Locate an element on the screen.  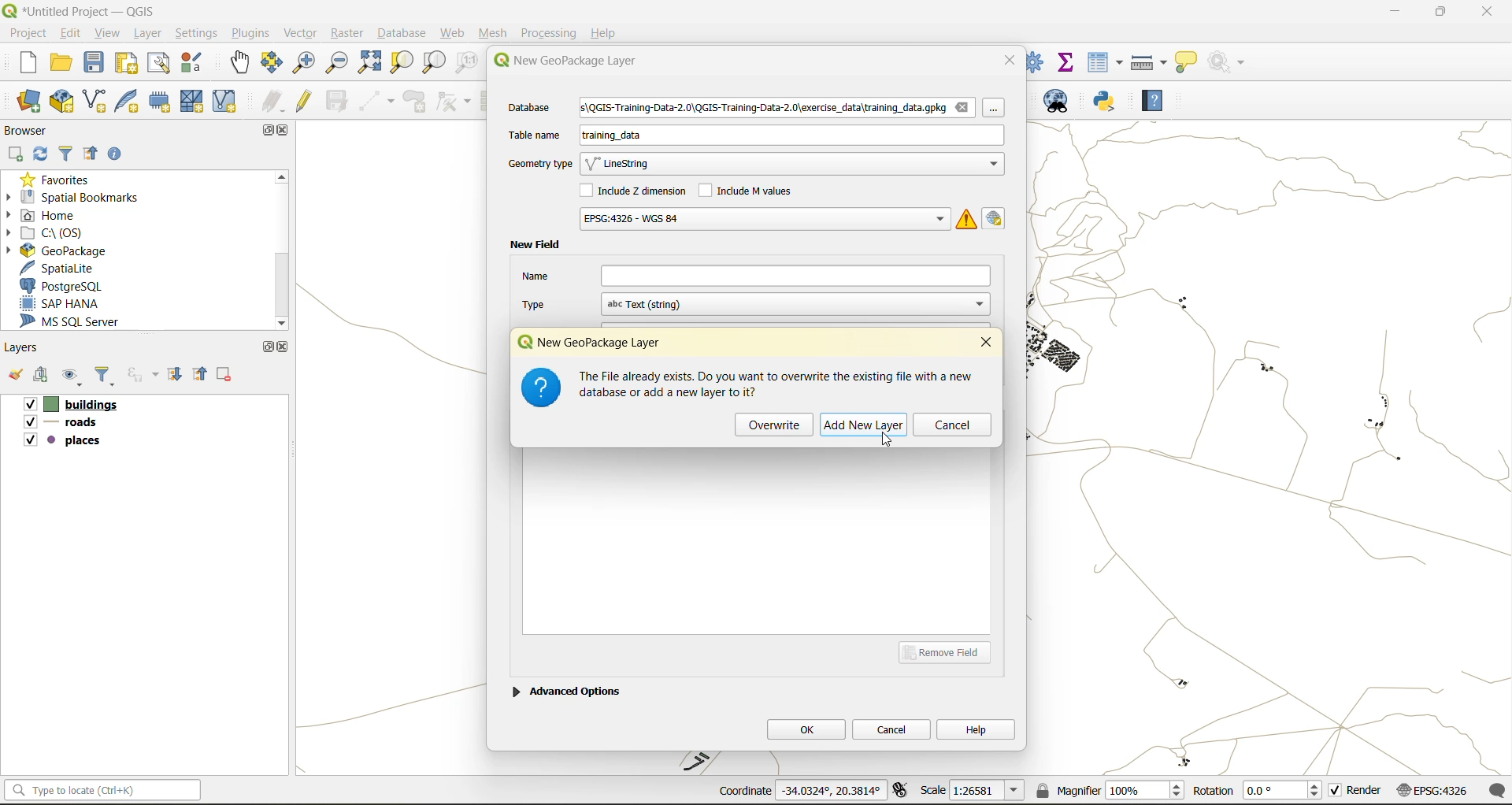
type(text string) is located at coordinates (753, 304).